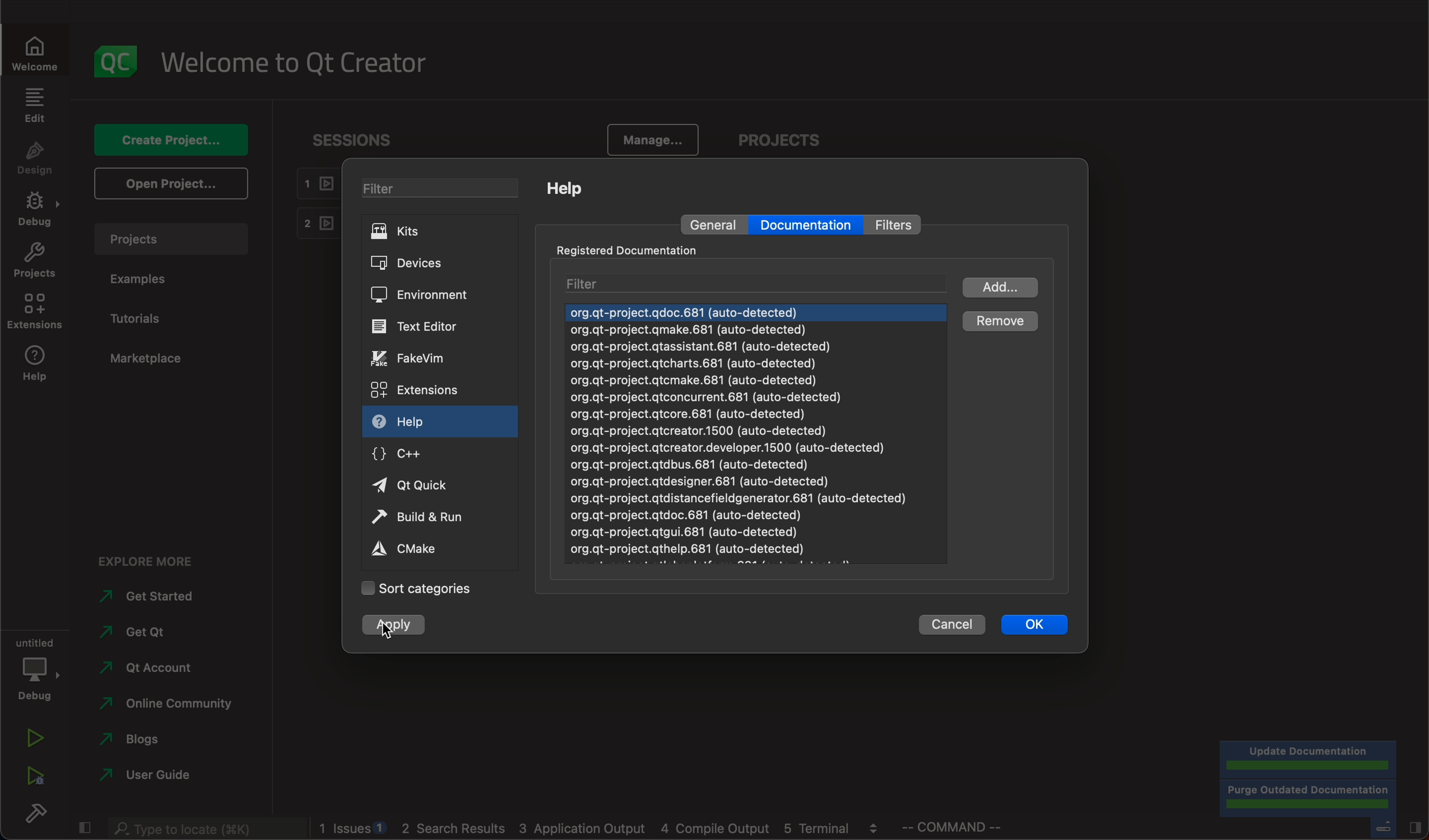  Describe the element at coordinates (969, 828) in the screenshot. I see `command` at that location.